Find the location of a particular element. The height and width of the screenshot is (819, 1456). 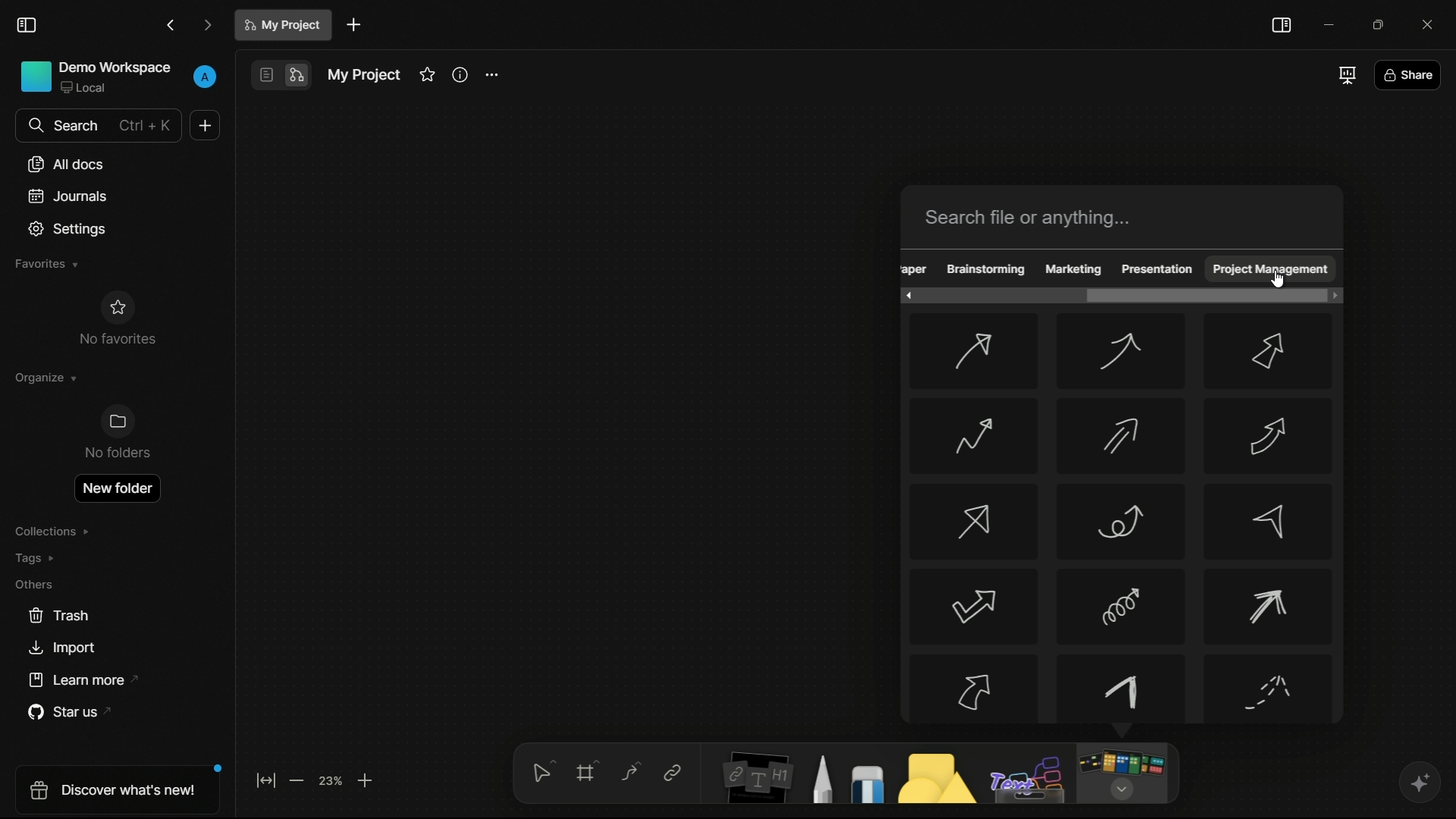

obscure text is located at coordinates (915, 268).